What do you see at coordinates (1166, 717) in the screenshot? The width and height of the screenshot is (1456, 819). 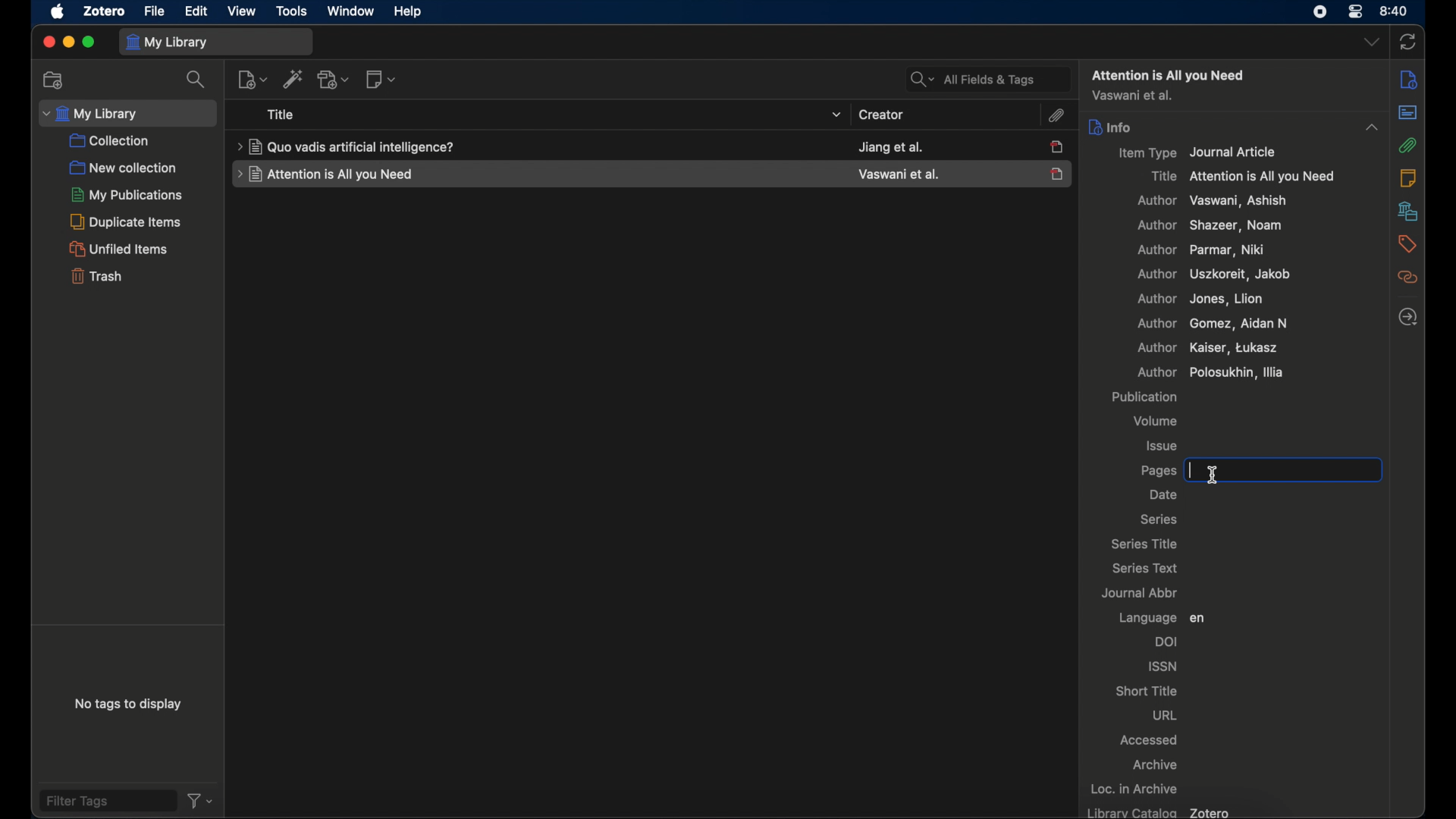 I see `url` at bounding box center [1166, 717].